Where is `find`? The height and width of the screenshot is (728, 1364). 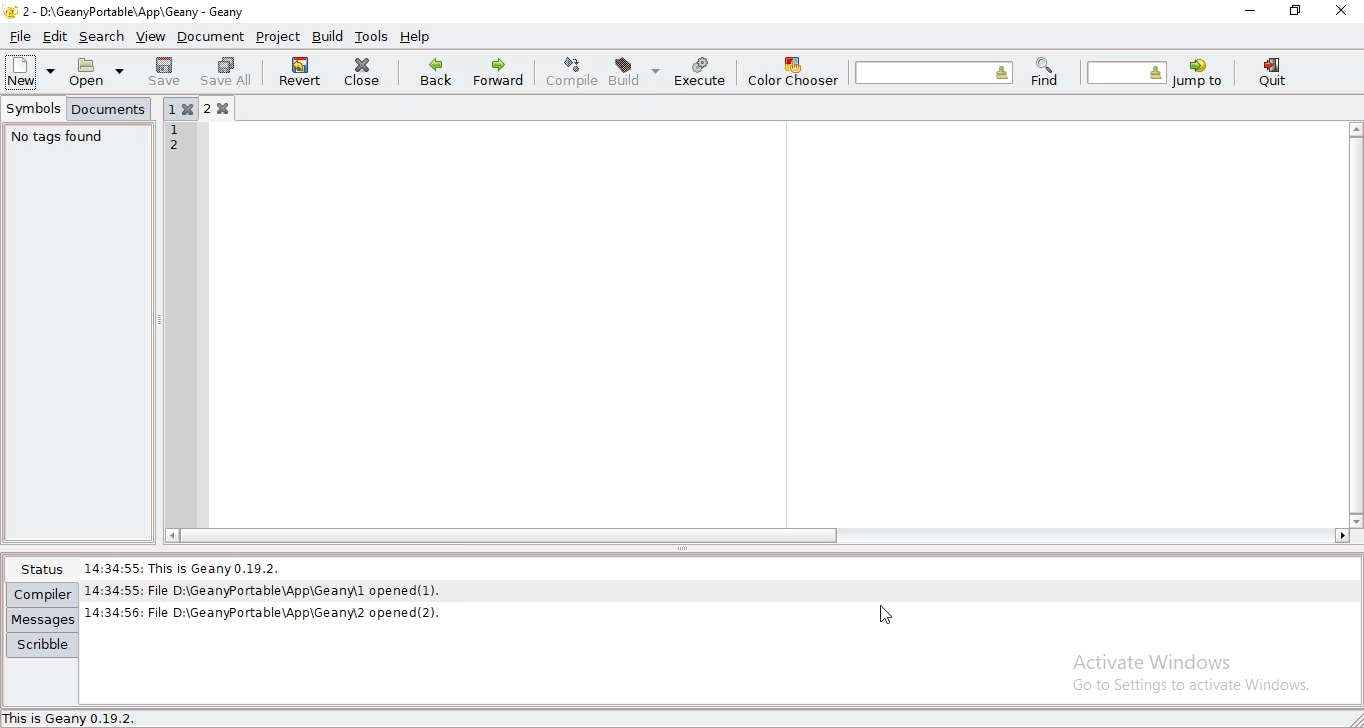 find is located at coordinates (1044, 72).